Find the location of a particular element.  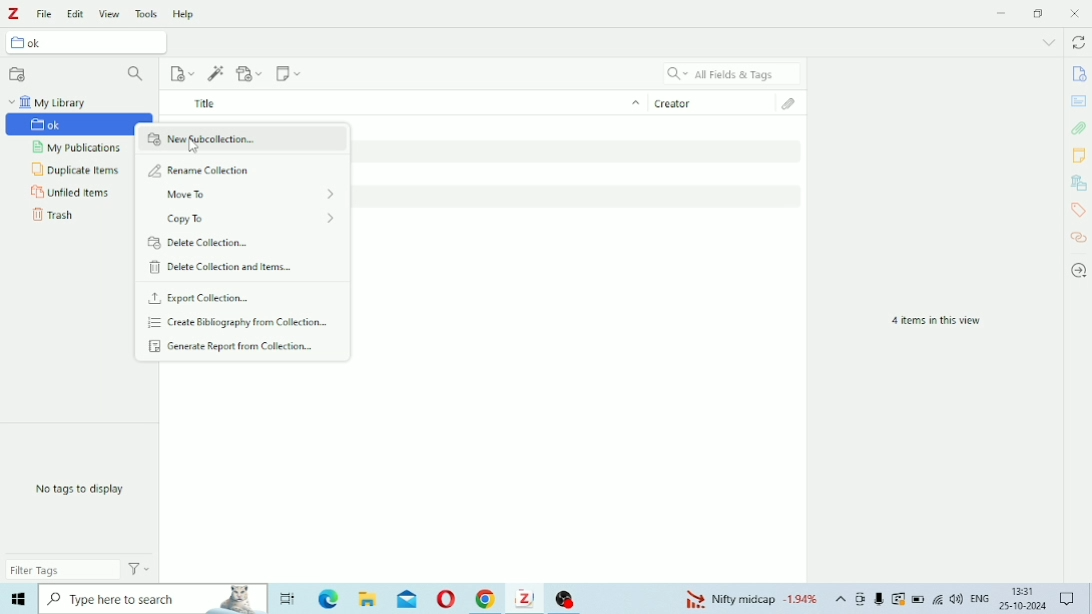

Google Chrome is located at coordinates (487, 599).